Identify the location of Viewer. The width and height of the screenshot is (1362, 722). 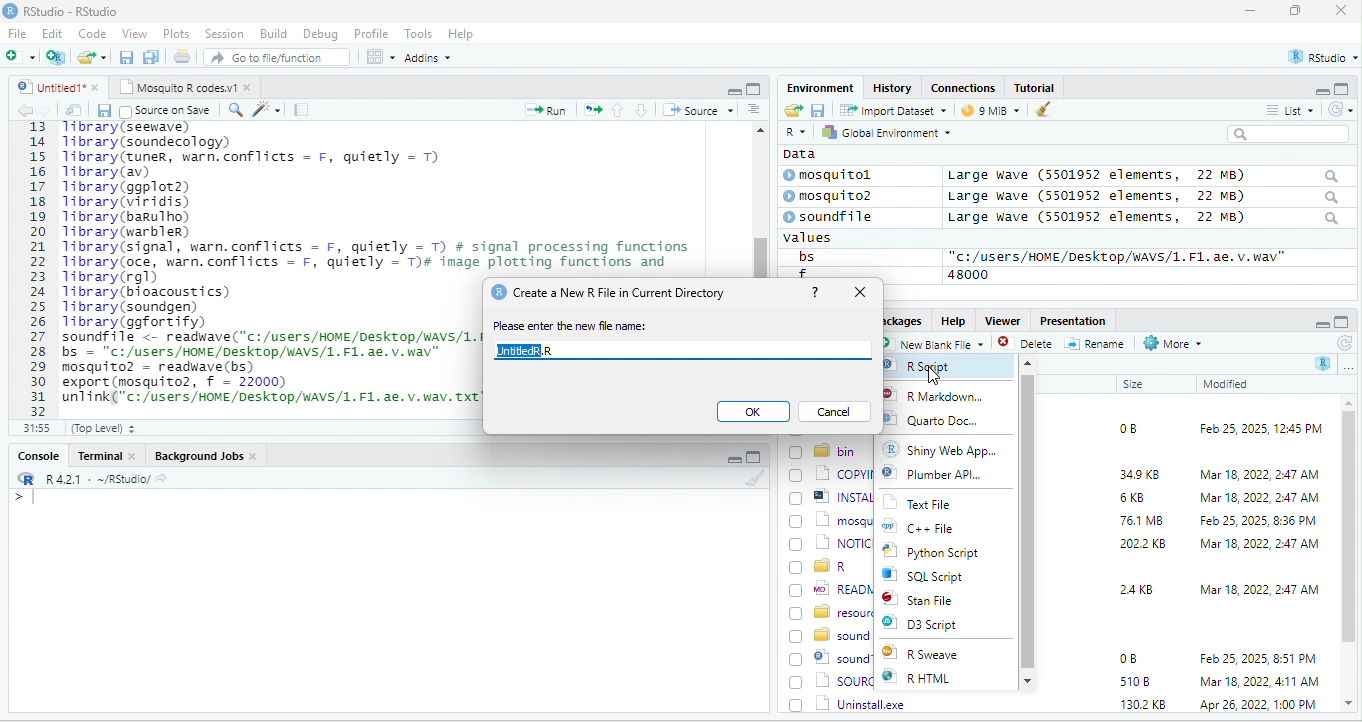
(1000, 321).